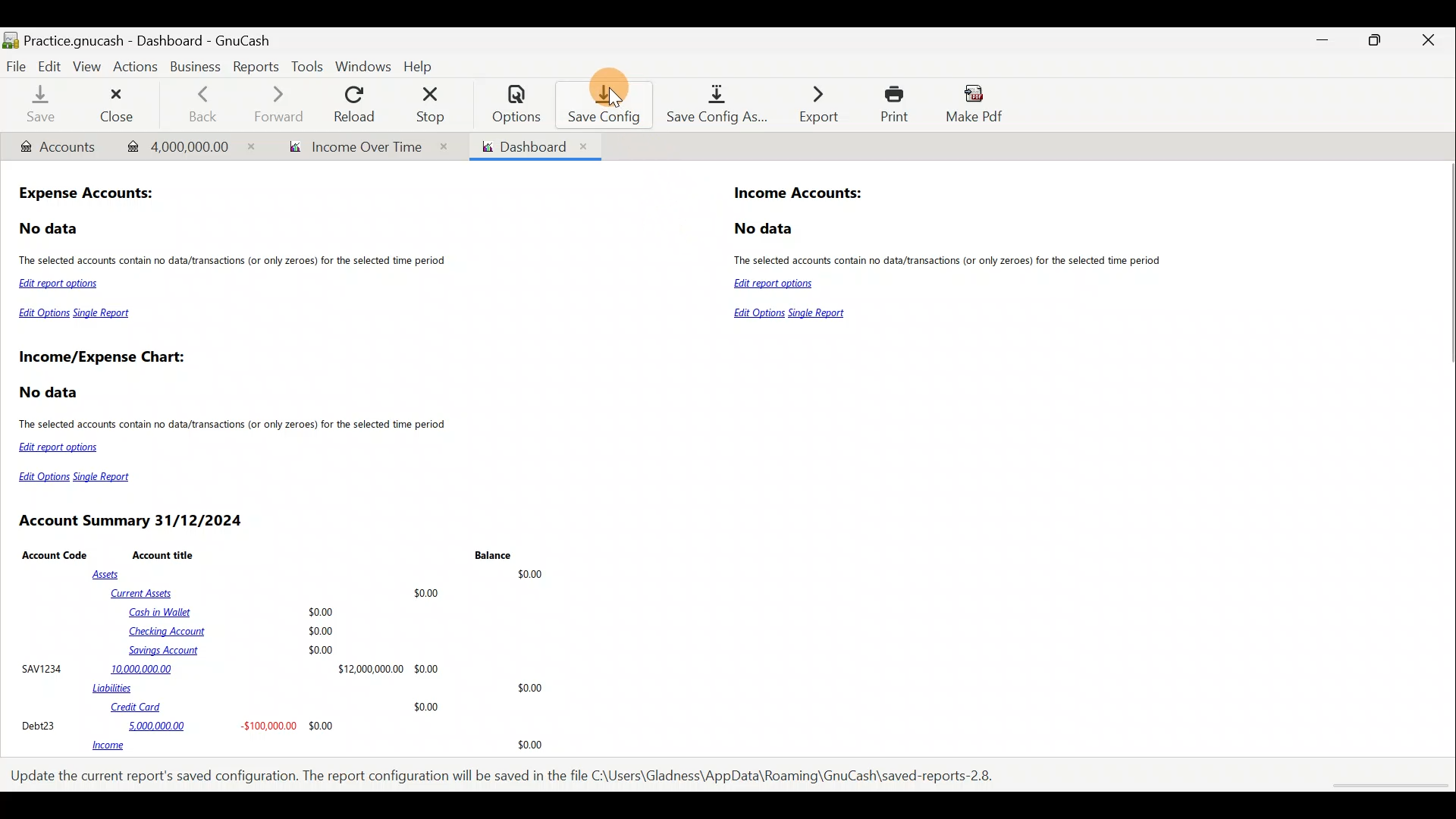  I want to click on File, so click(17, 65).